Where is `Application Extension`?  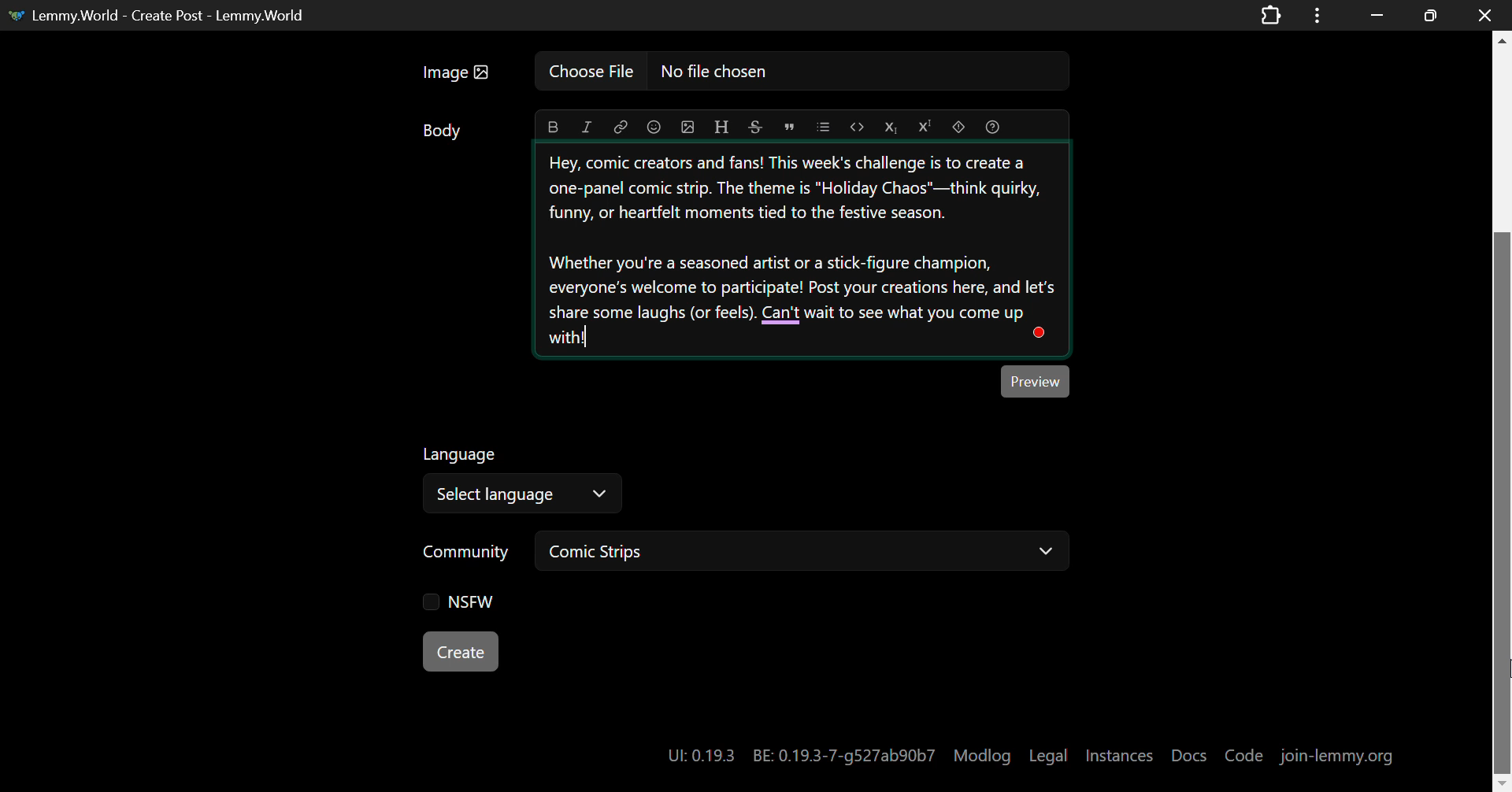 Application Extension is located at coordinates (1274, 13).